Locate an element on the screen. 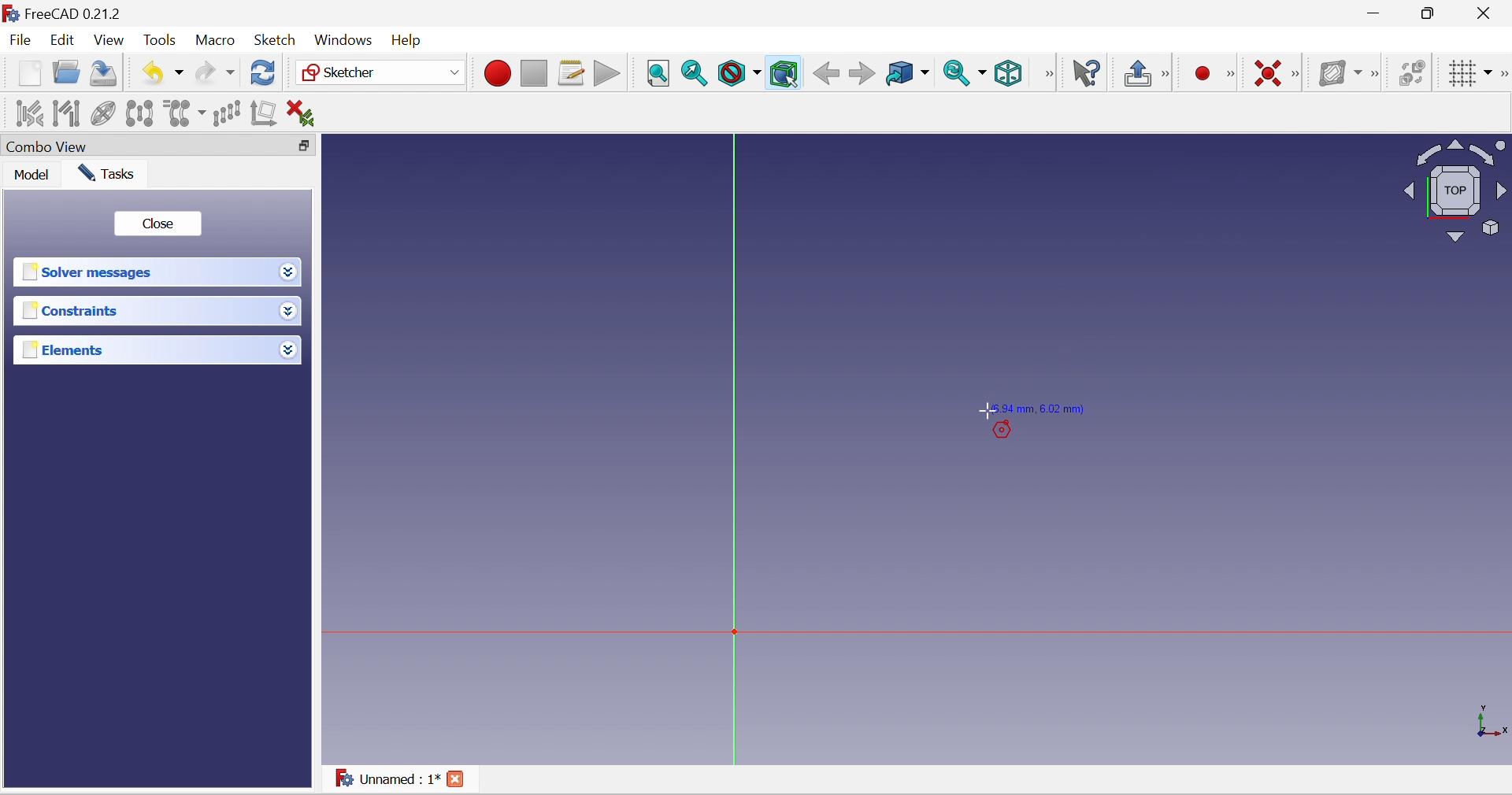 The height and width of the screenshot is (795, 1512). Solver messages is located at coordinates (143, 272).